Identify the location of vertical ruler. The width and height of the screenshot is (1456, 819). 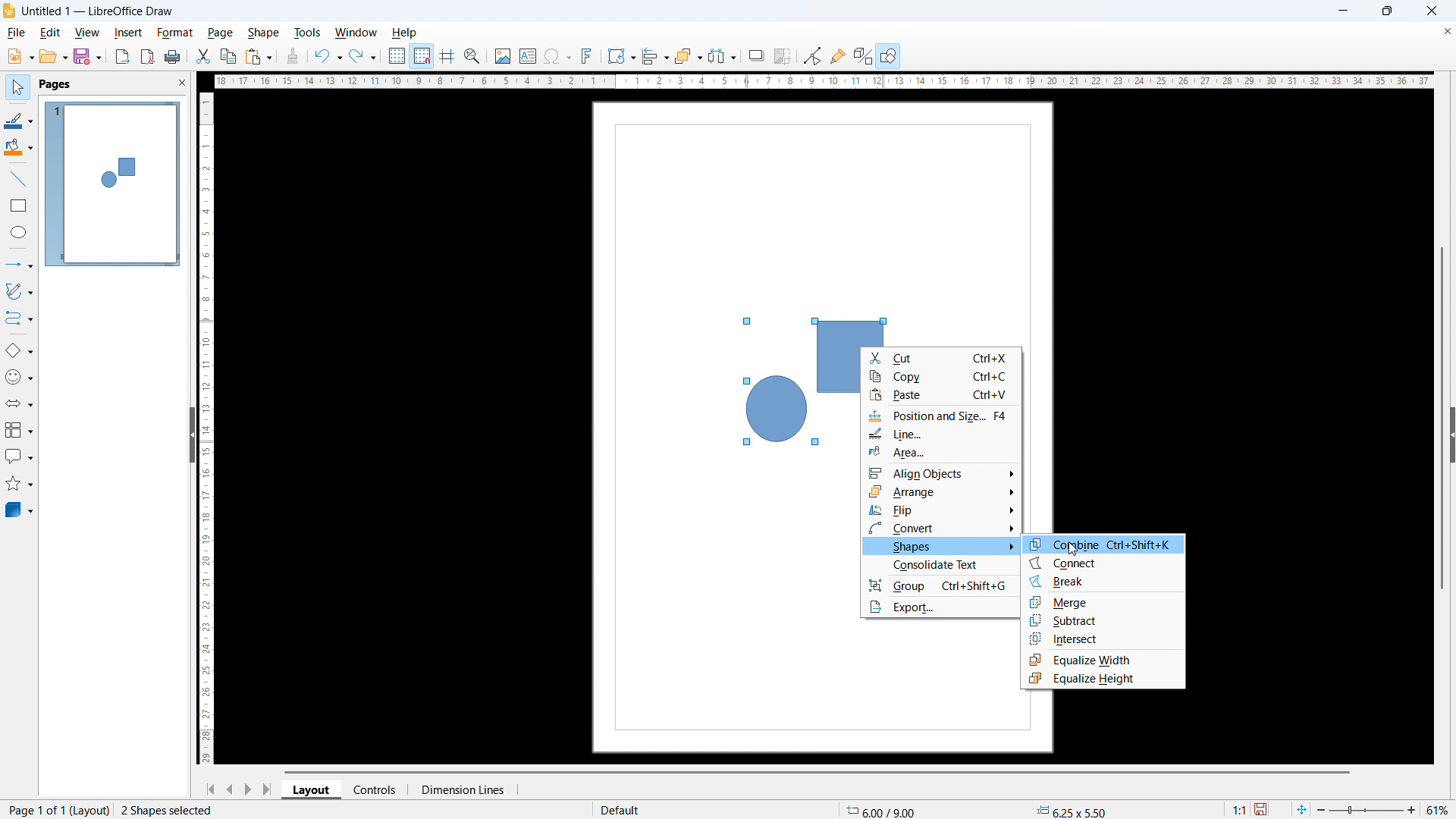
(205, 428).